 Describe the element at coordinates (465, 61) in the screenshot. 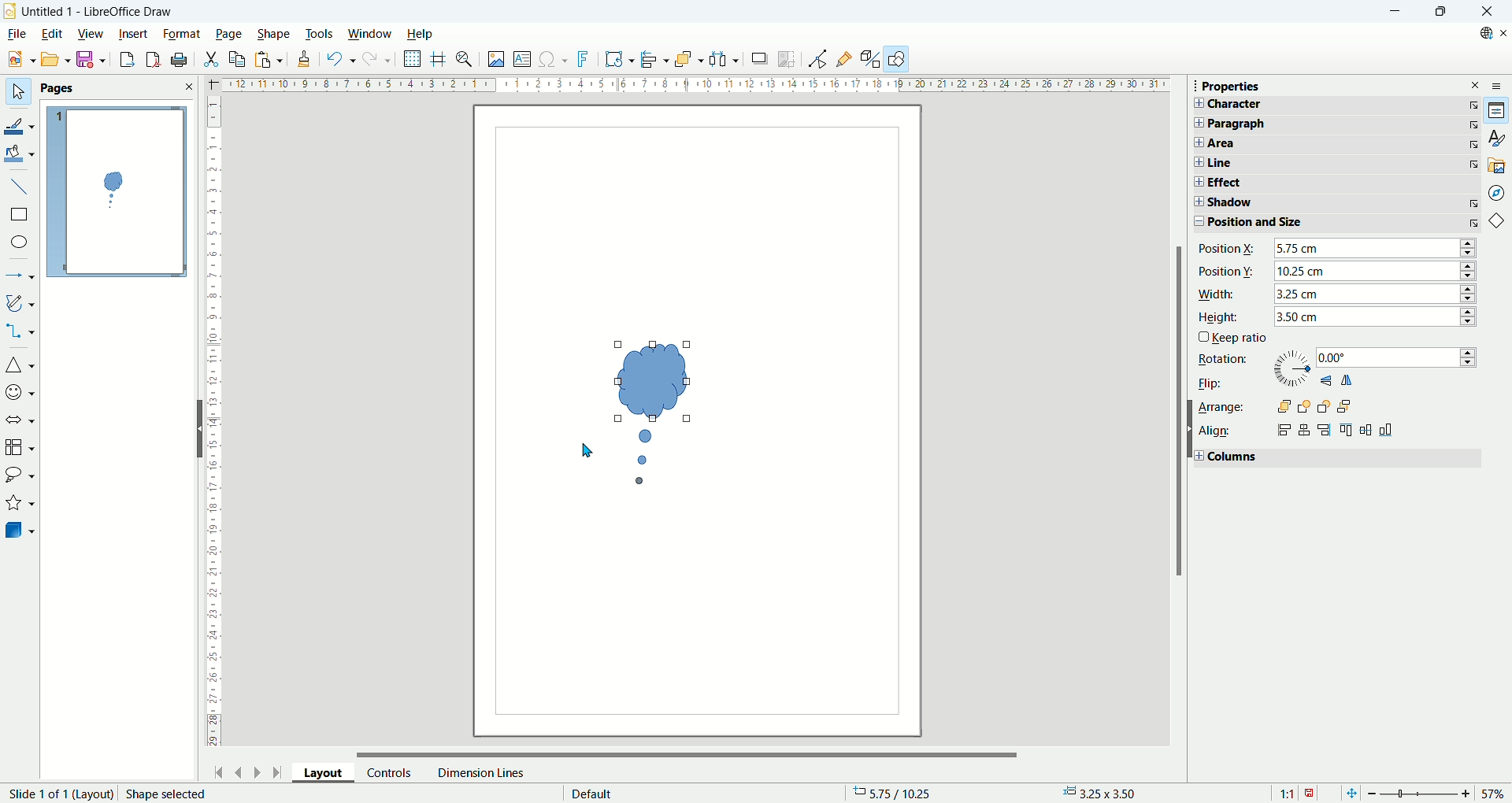

I see `zoom and pan` at that location.